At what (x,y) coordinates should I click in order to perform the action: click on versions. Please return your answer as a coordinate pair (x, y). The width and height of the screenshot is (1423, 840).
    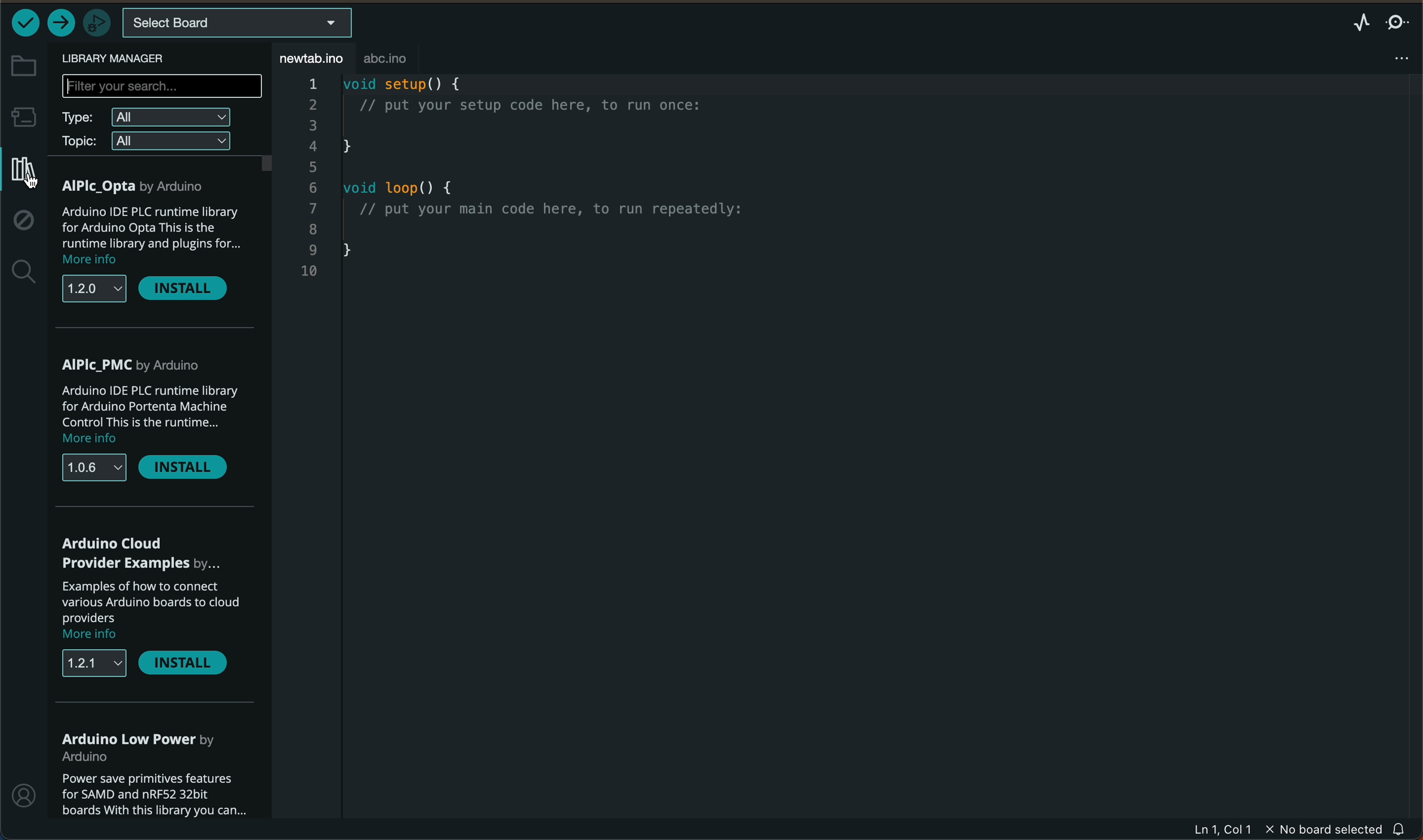
    Looking at the image, I should click on (94, 289).